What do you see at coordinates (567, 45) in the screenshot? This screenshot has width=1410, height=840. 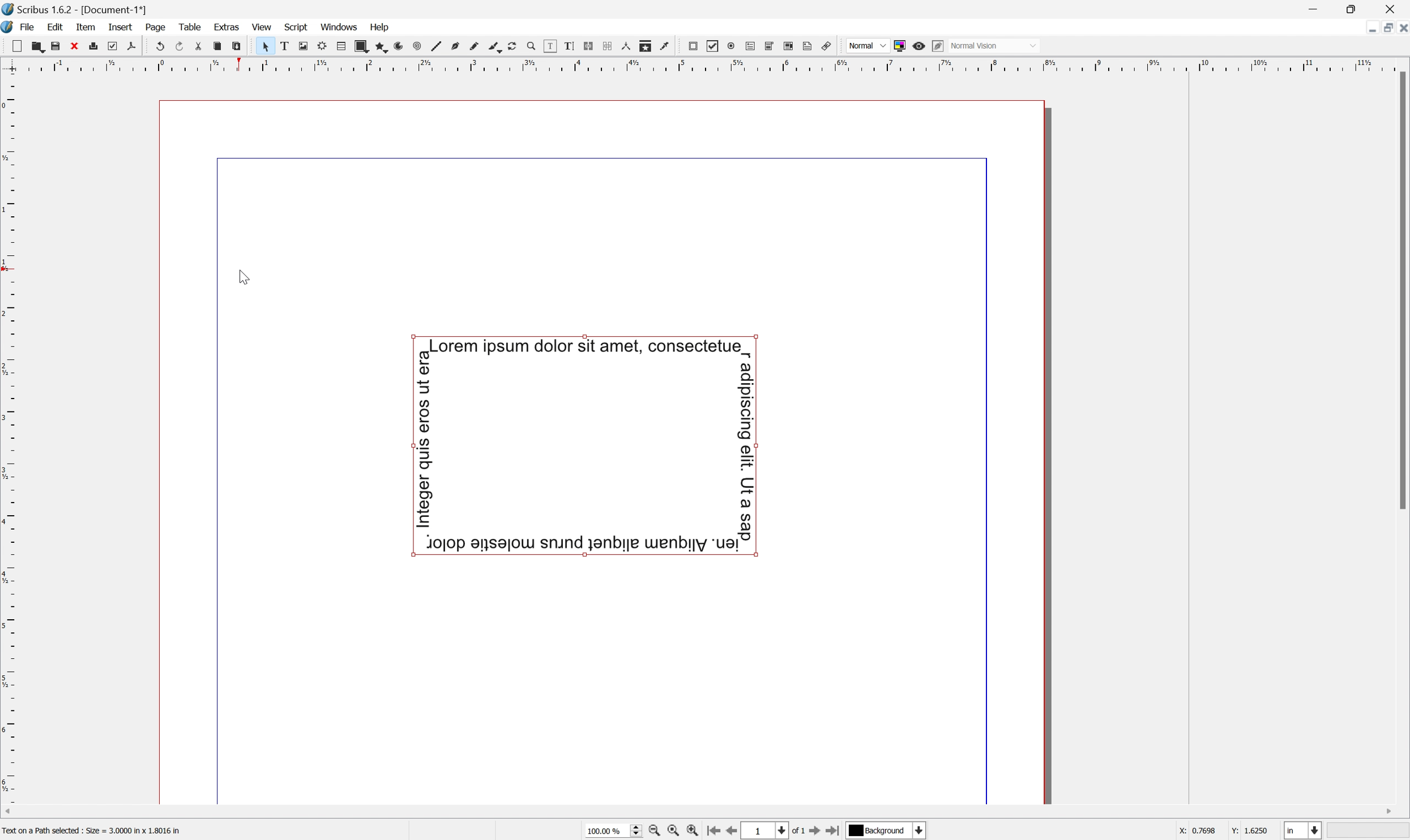 I see `Edit text with story editor` at bounding box center [567, 45].